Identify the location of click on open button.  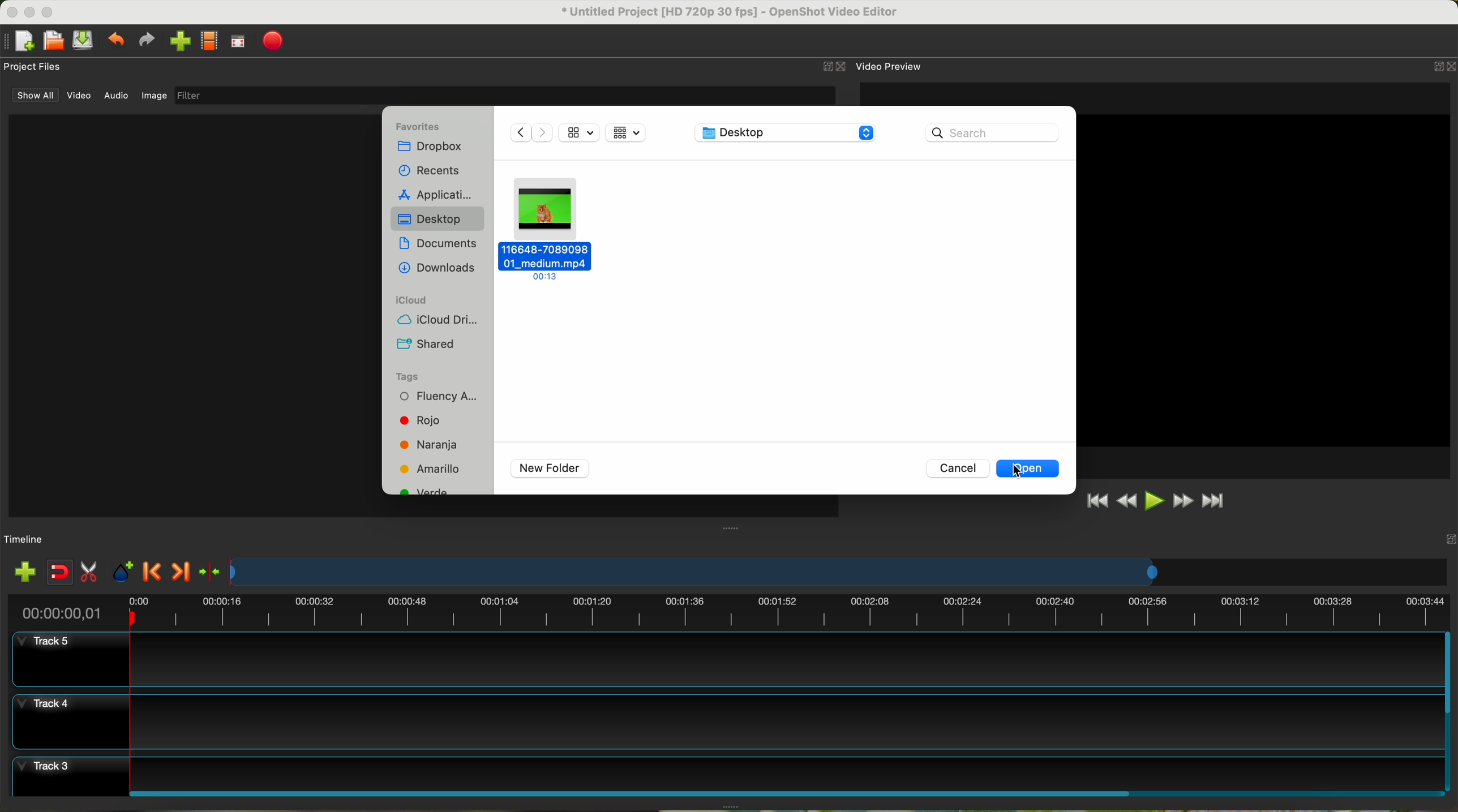
(1028, 468).